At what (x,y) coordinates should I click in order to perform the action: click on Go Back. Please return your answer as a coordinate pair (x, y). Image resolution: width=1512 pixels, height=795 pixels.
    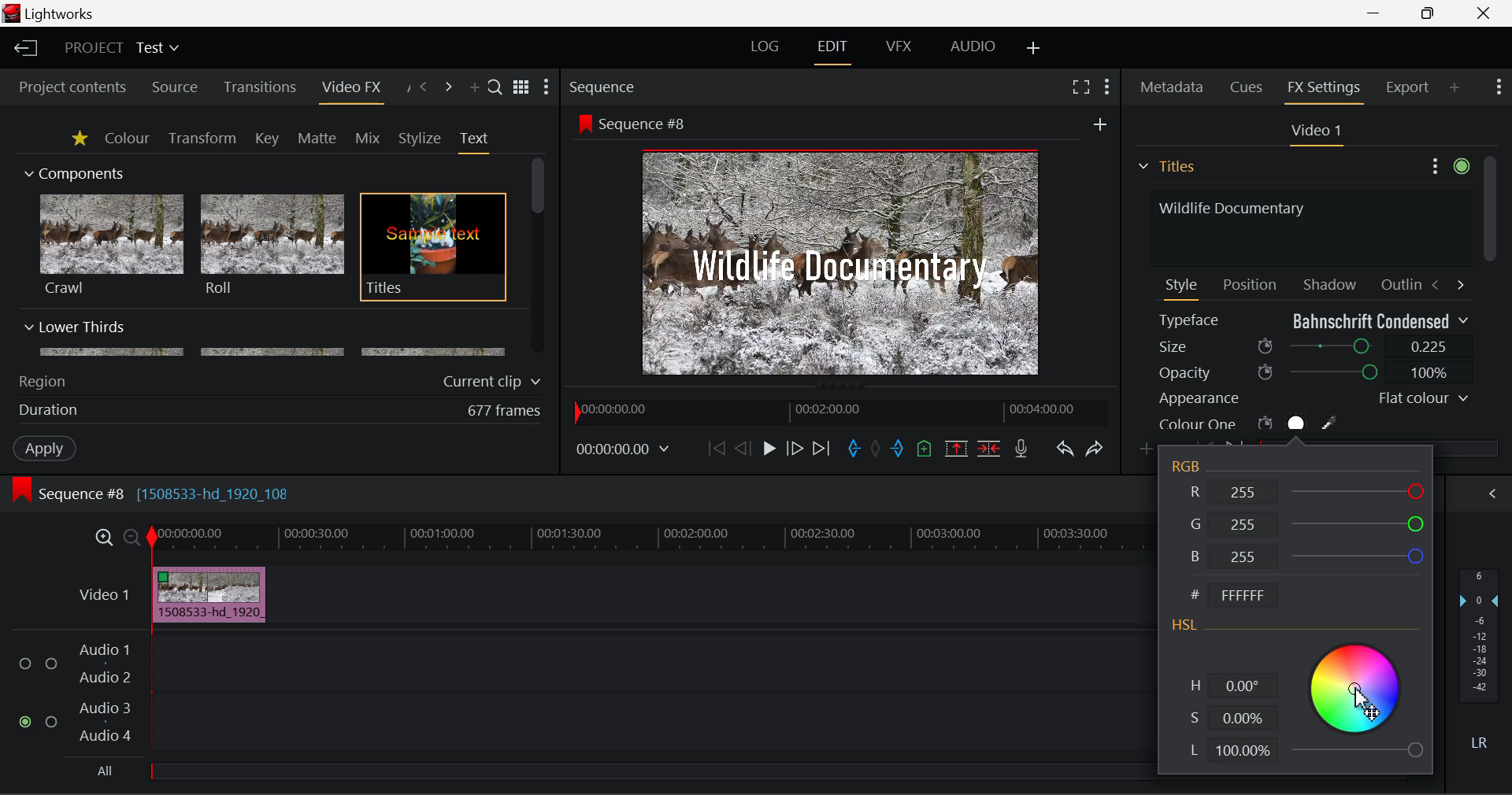
    Looking at the image, I should click on (743, 448).